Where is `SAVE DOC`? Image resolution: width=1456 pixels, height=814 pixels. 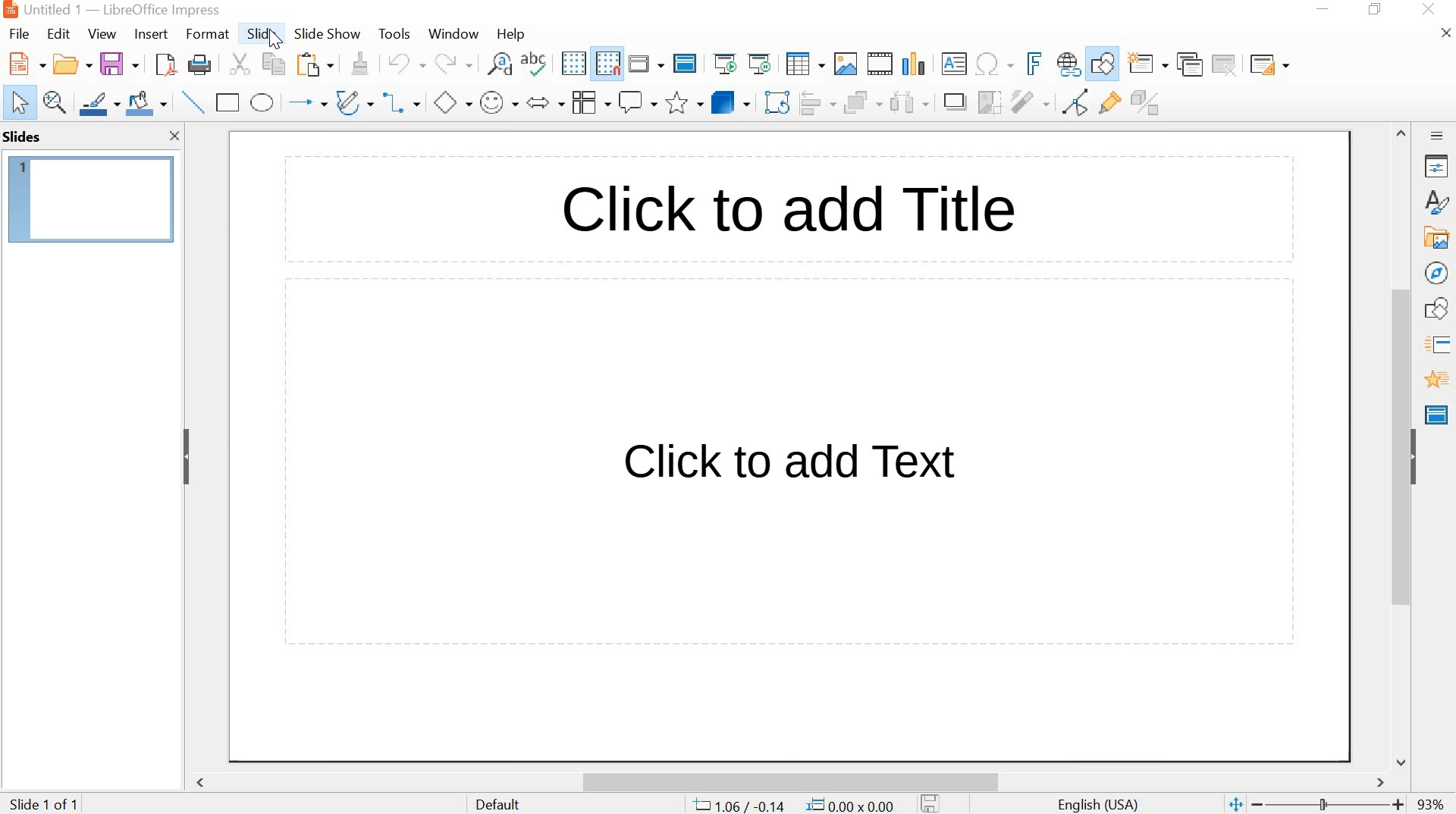 SAVE DOC is located at coordinates (932, 803).